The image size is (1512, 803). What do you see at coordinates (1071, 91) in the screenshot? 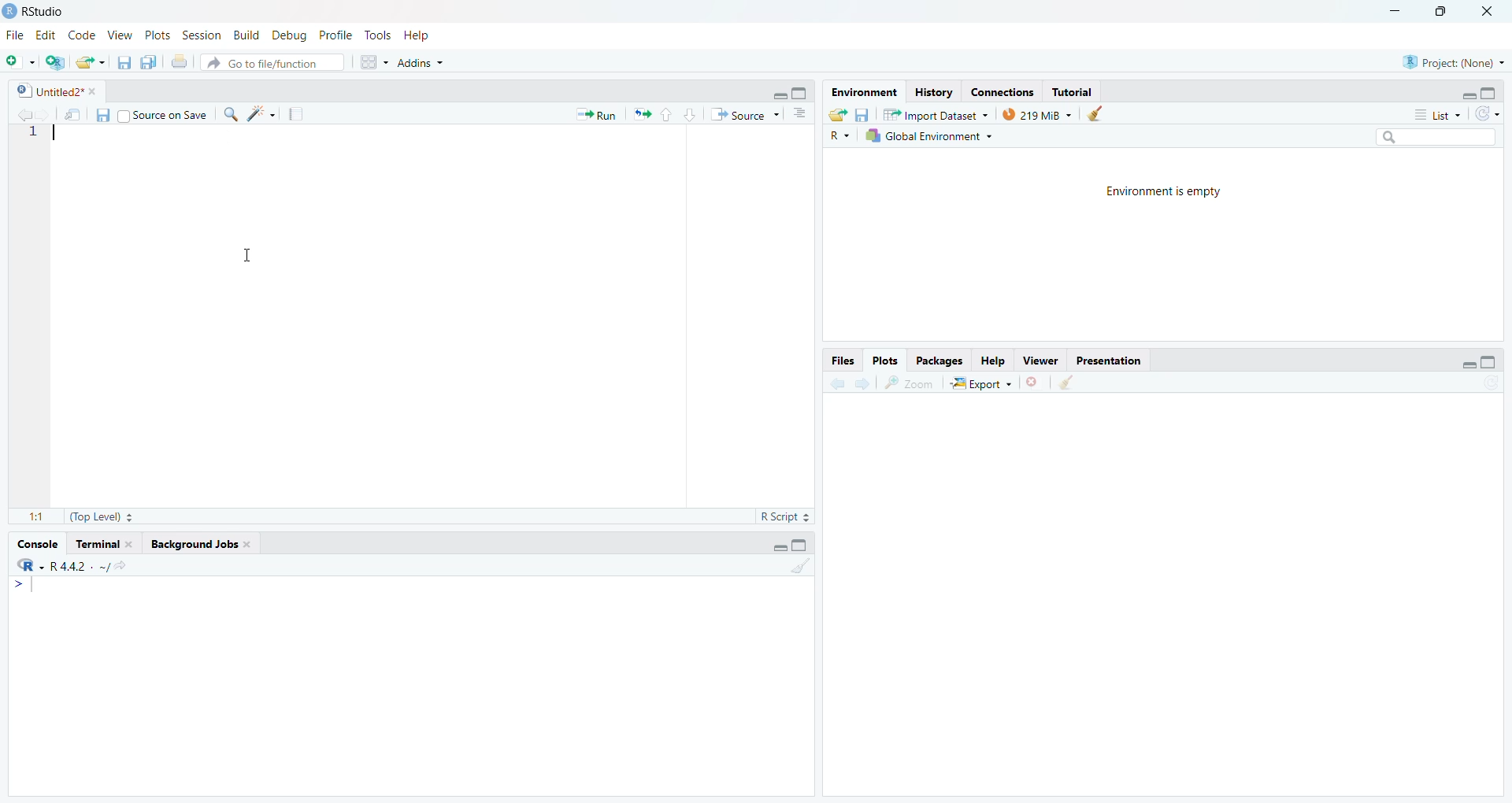
I see `Tutorial` at bounding box center [1071, 91].